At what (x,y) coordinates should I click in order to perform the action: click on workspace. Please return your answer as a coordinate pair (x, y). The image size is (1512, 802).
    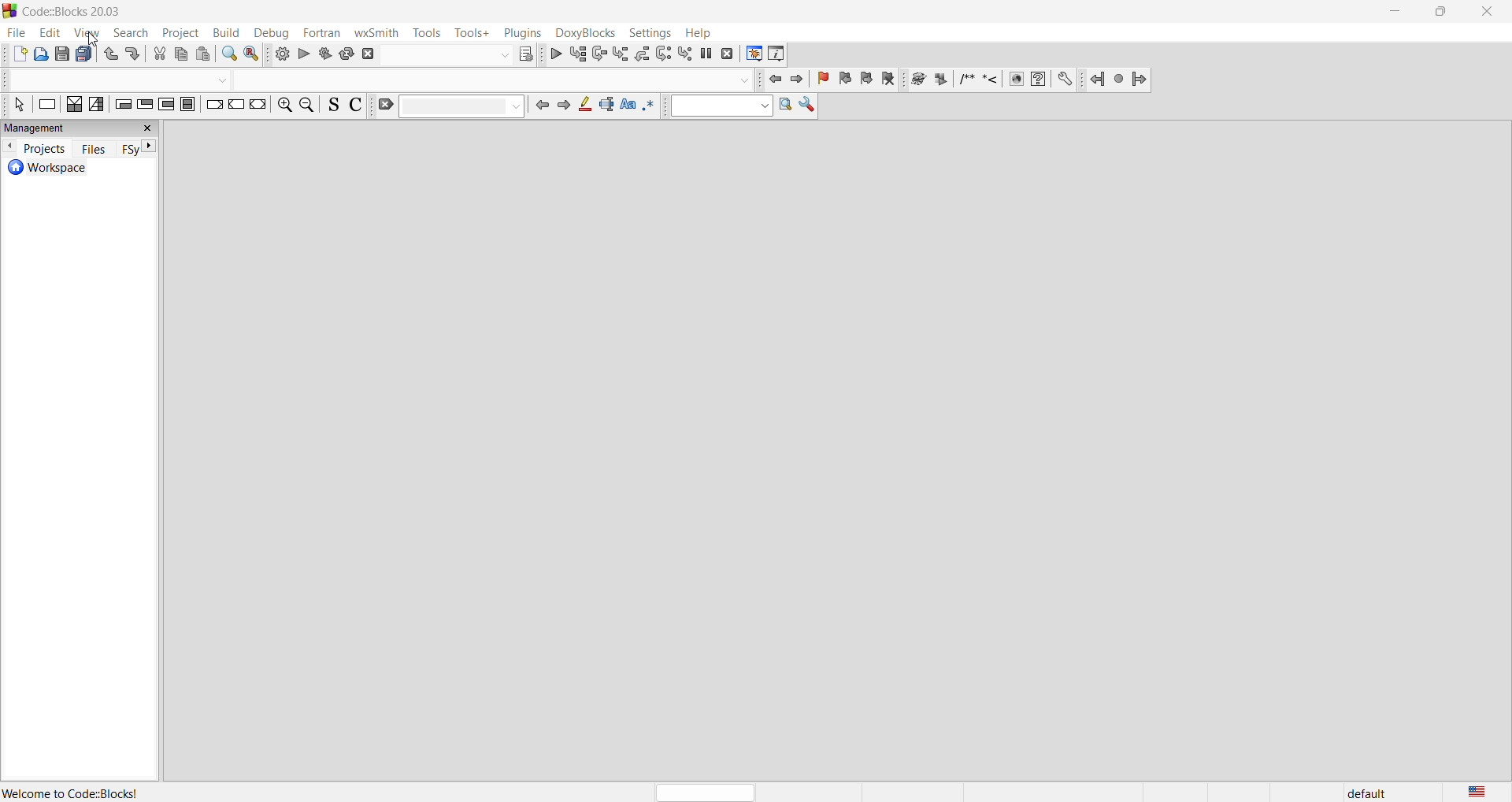
    Looking at the image, I should click on (80, 169).